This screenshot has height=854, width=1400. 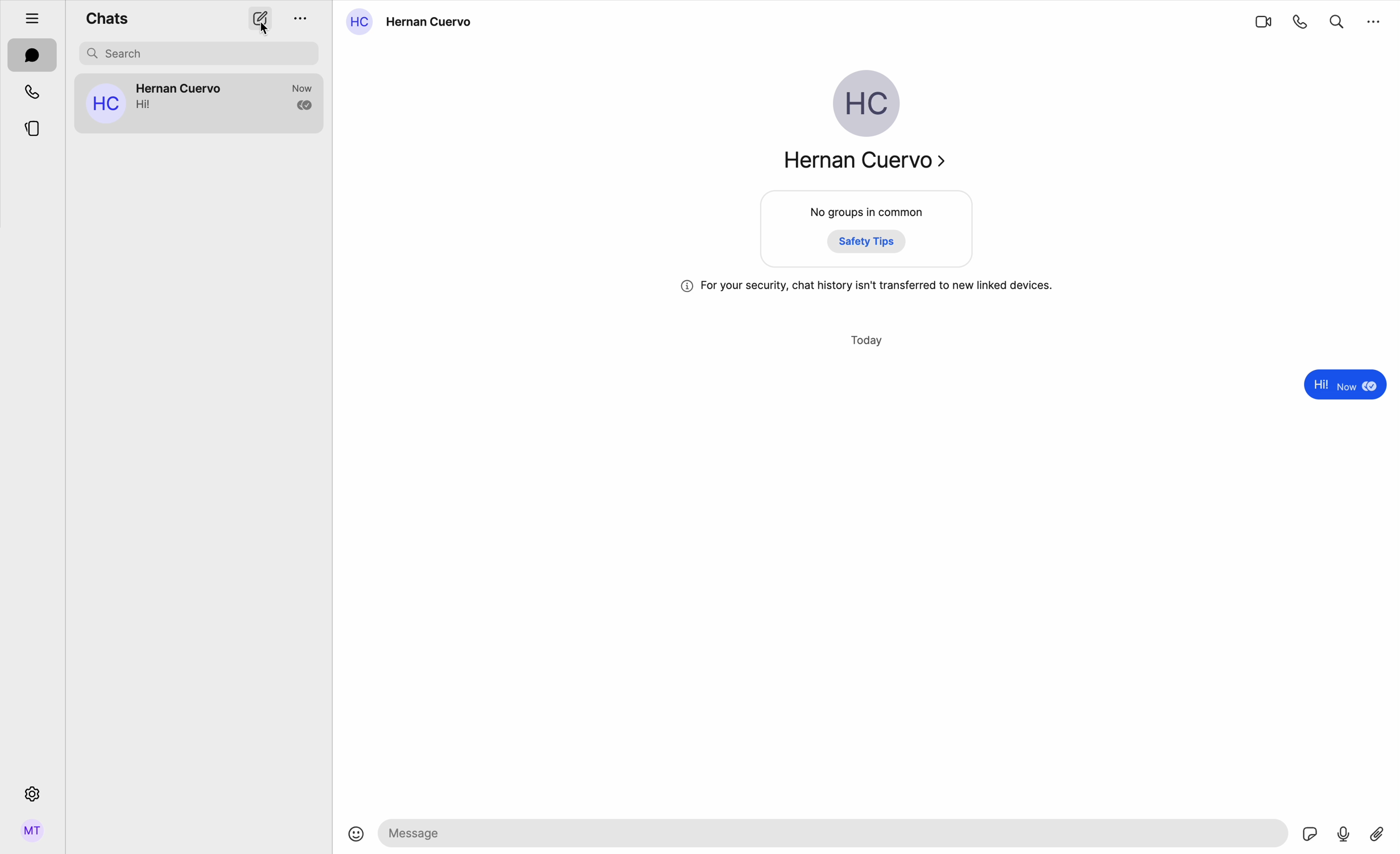 I want to click on call, so click(x=1301, y=21).